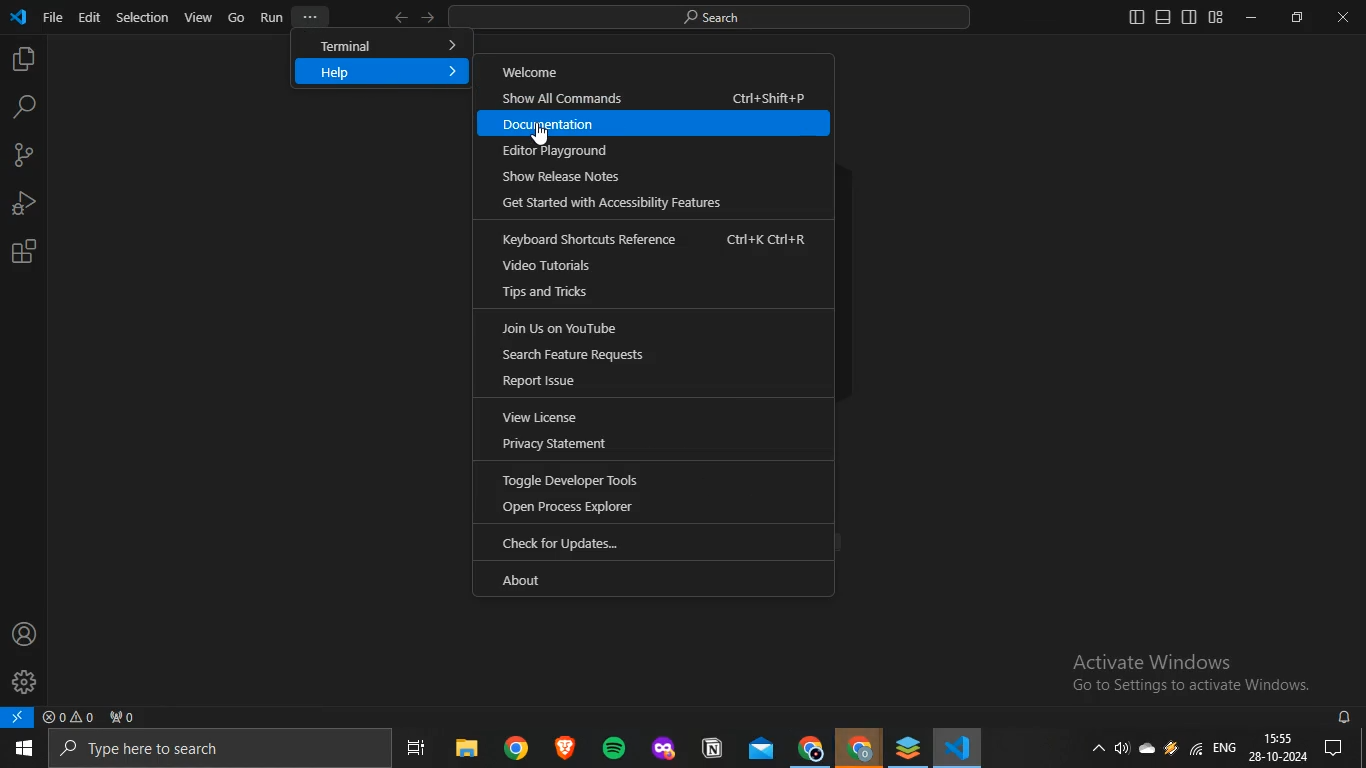 This screenshot has width=1366, height=768. I want to click on file, so click(53, 17).